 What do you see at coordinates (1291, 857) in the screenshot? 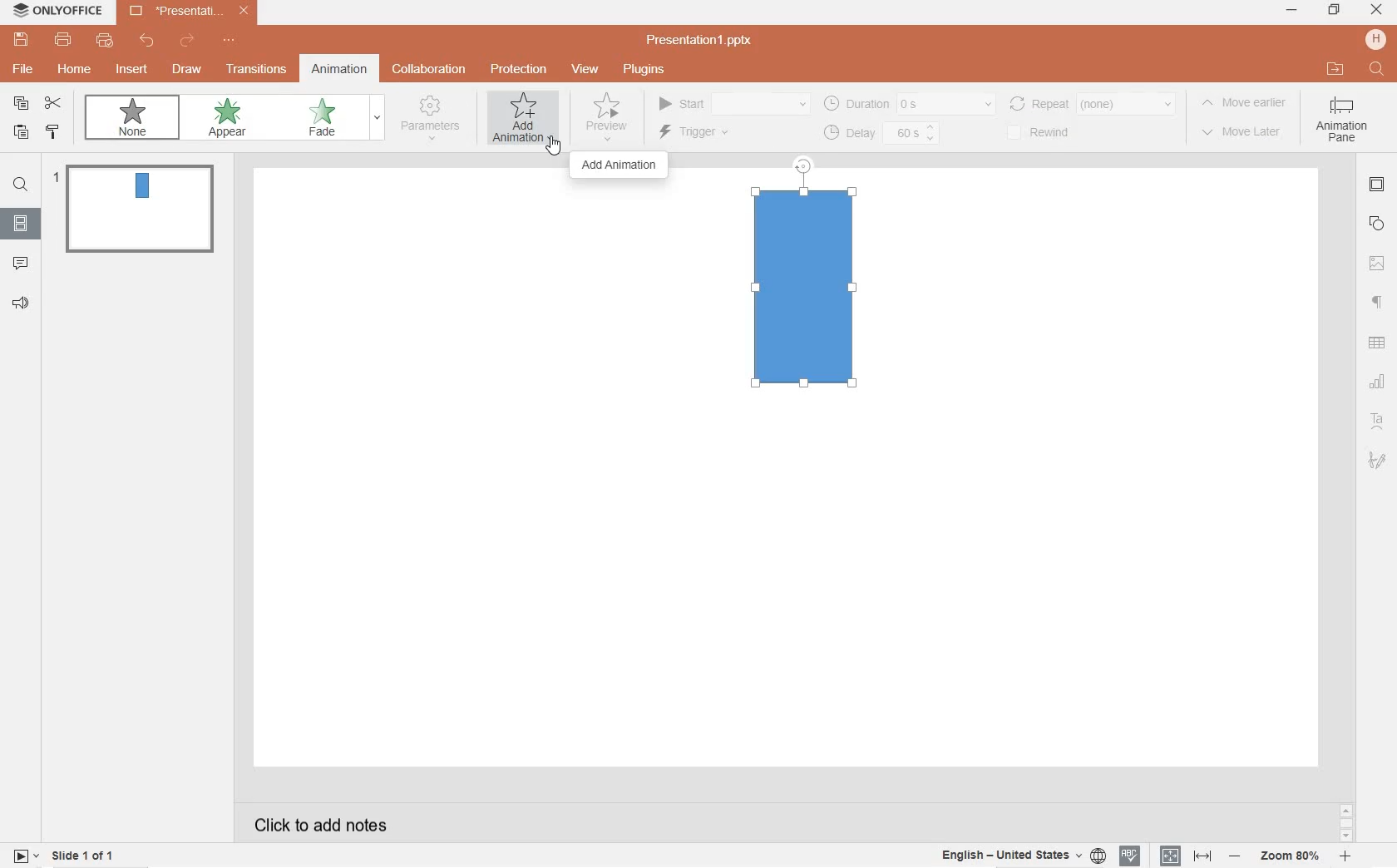
I see `Zoom 80%` at bounding box center [1291, 857].